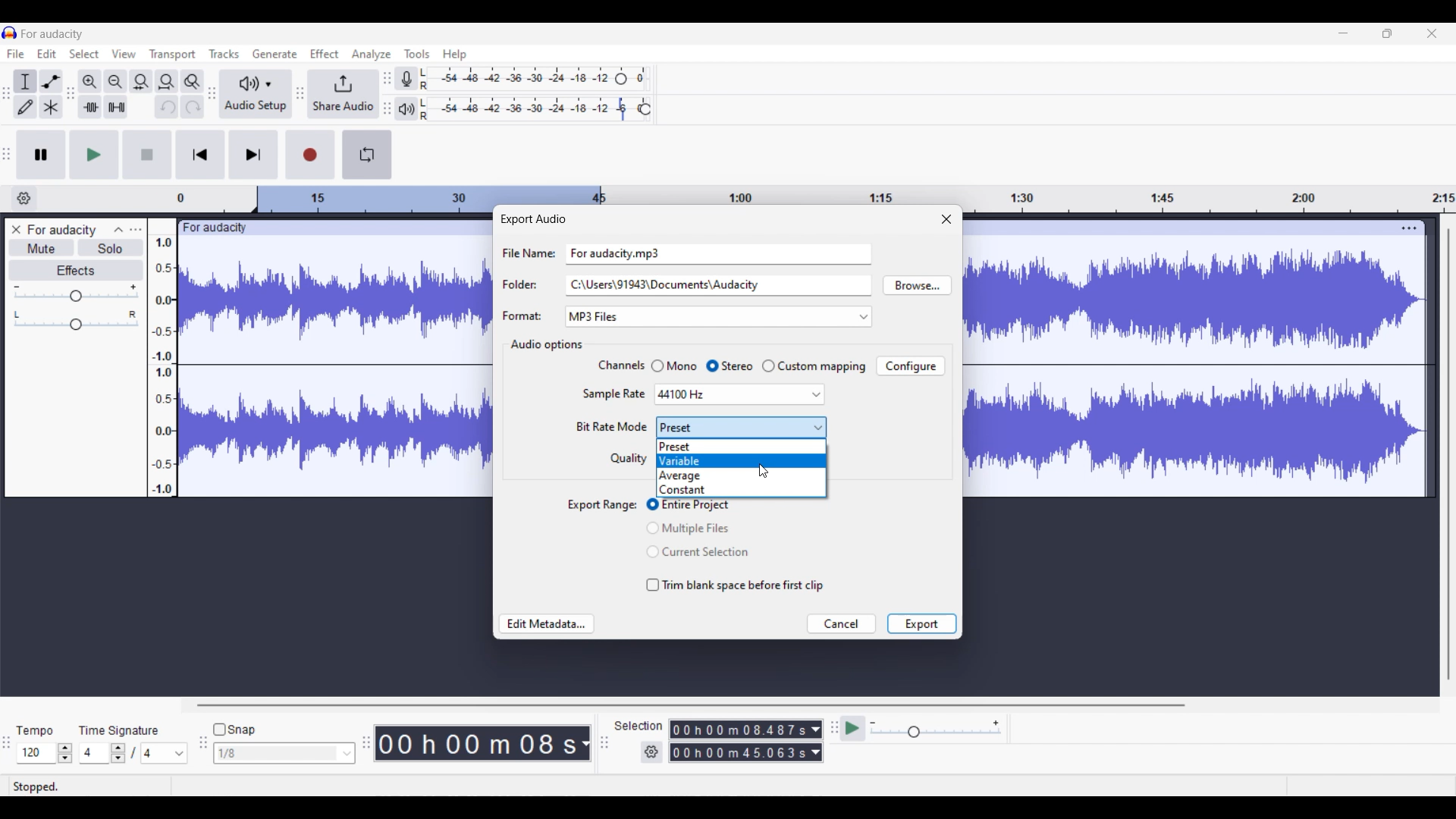 Image resolution: width=1456 pixels, height=819 pixels. I want to click on Selection duration measurement, so click(739, 752).